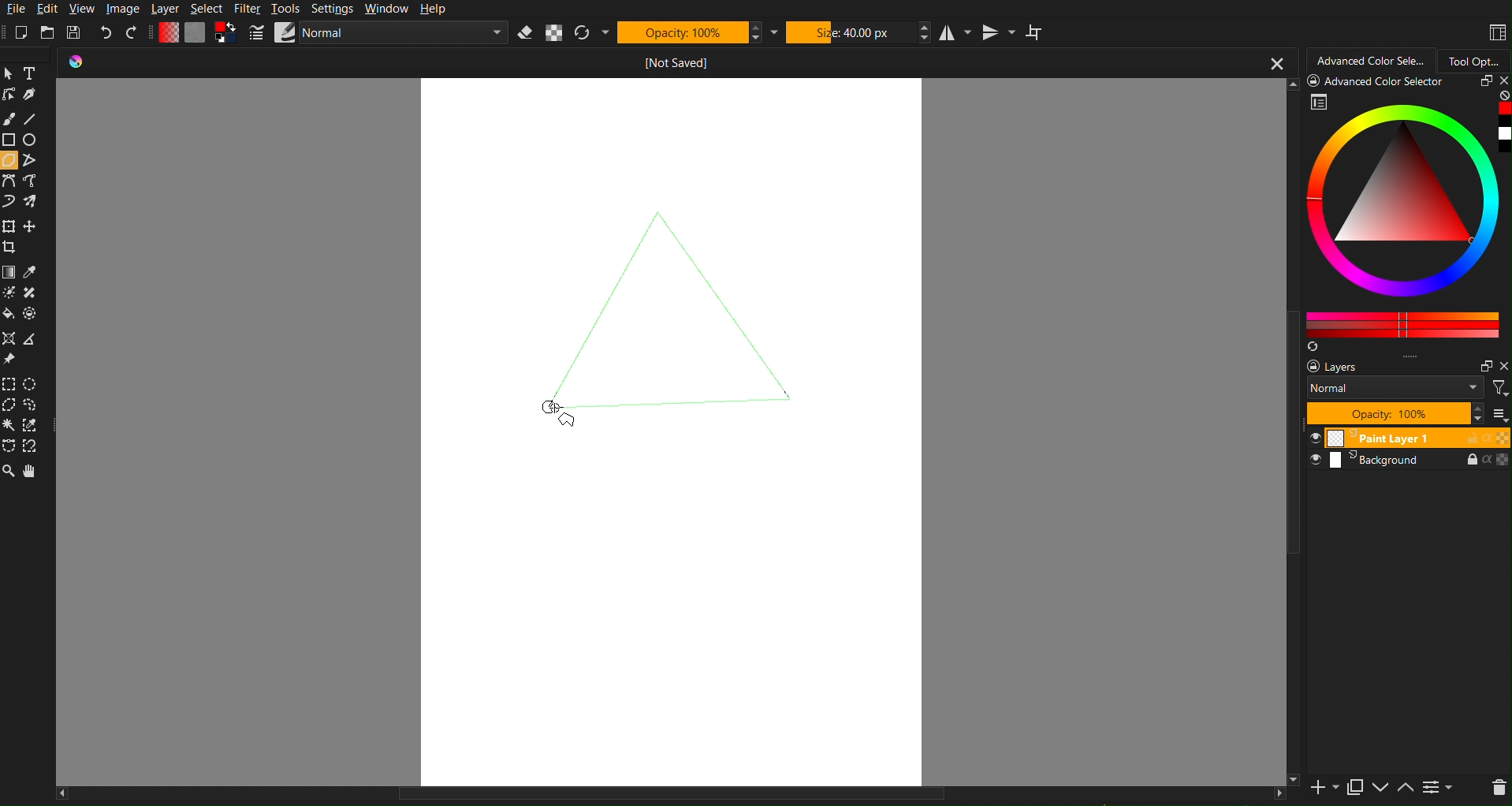 The height and width of the screenshot is (806, 1512). I want to click on Advanced Color Selector, so click(1380, 84).